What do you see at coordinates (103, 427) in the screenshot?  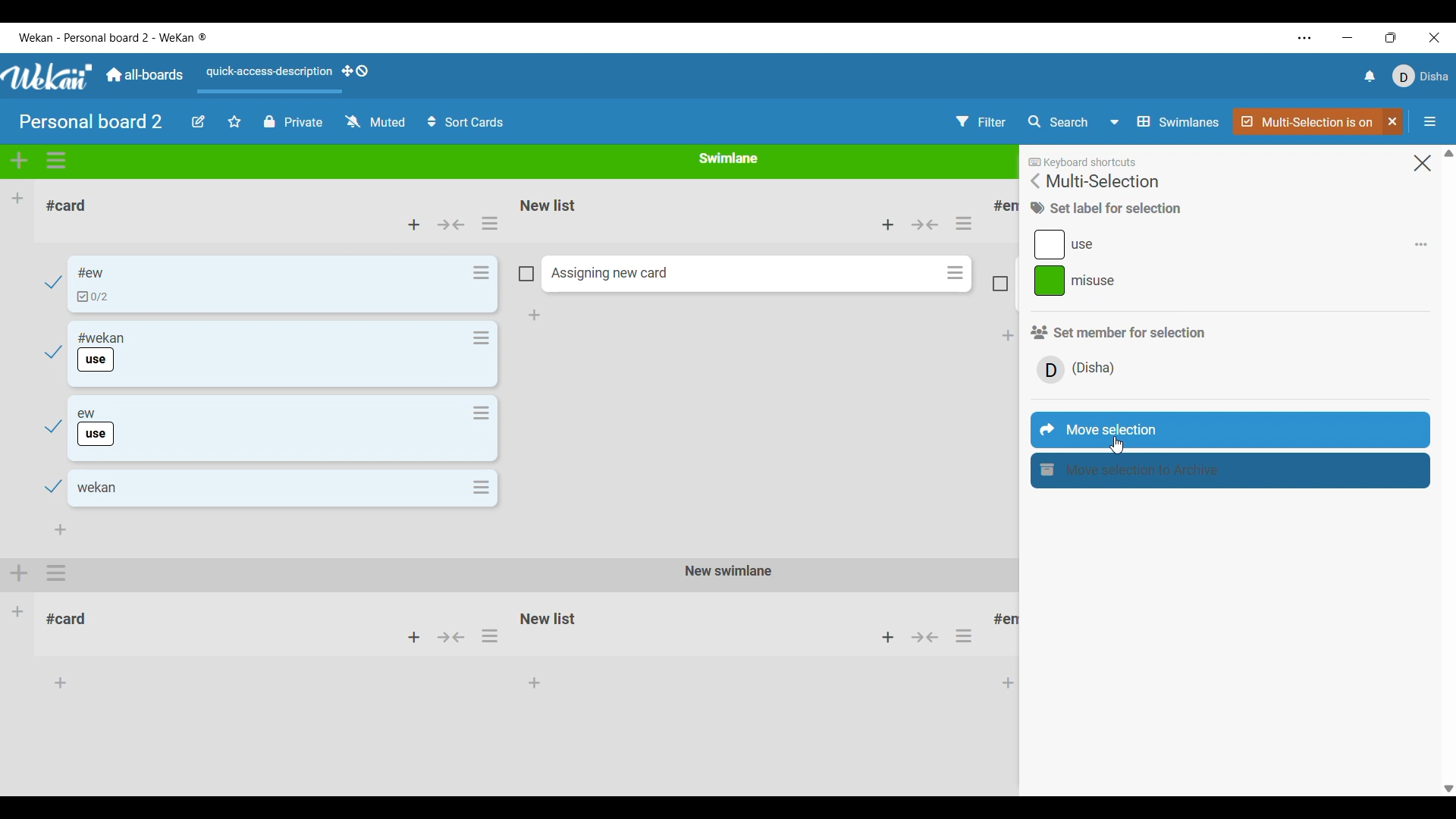 I see `Card name and label` at bounding box center [103, 427].